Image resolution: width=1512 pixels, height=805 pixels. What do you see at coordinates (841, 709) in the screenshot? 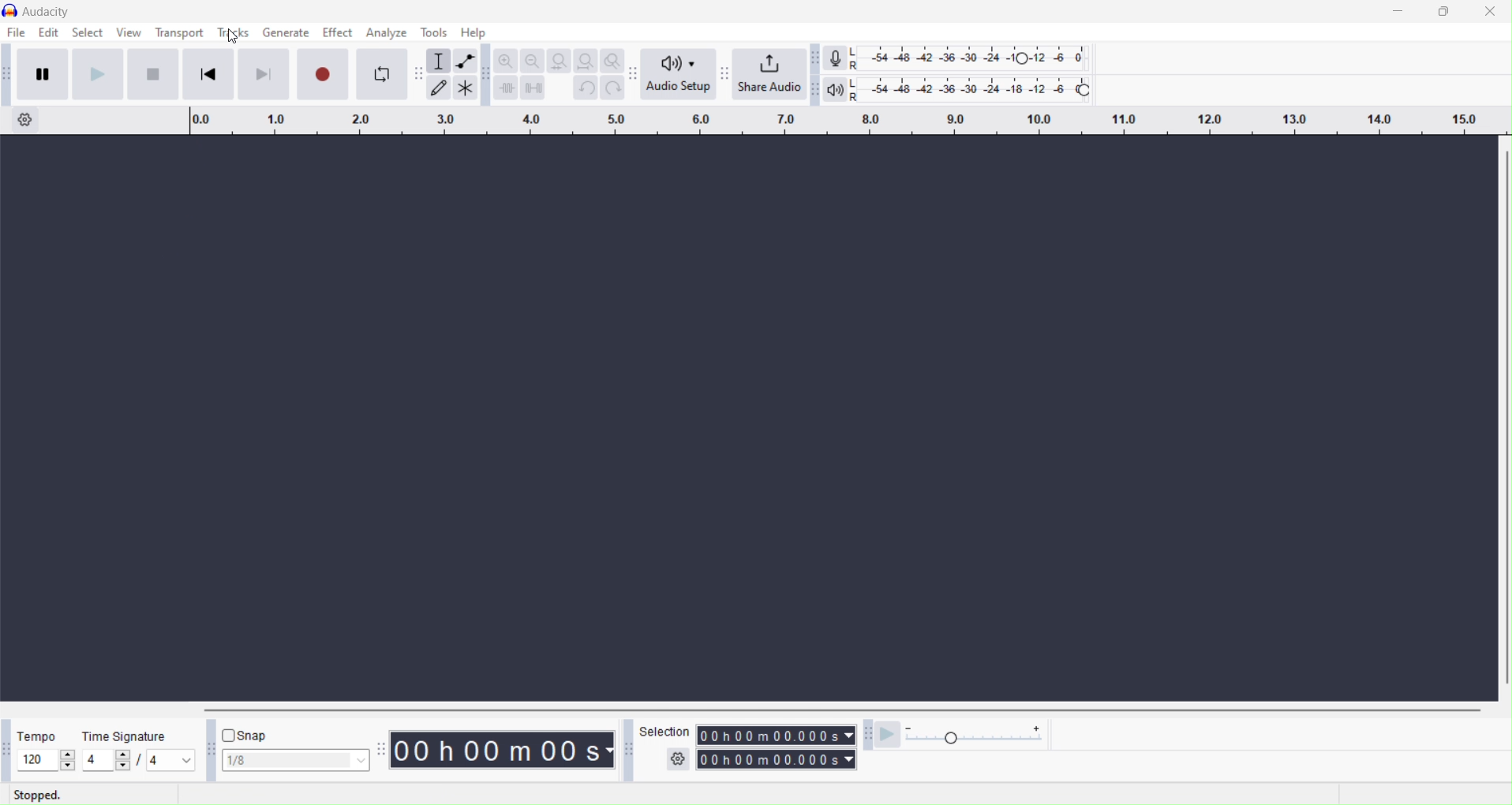
I see `Vertical scroll bar` at bounding box center [841, 709].